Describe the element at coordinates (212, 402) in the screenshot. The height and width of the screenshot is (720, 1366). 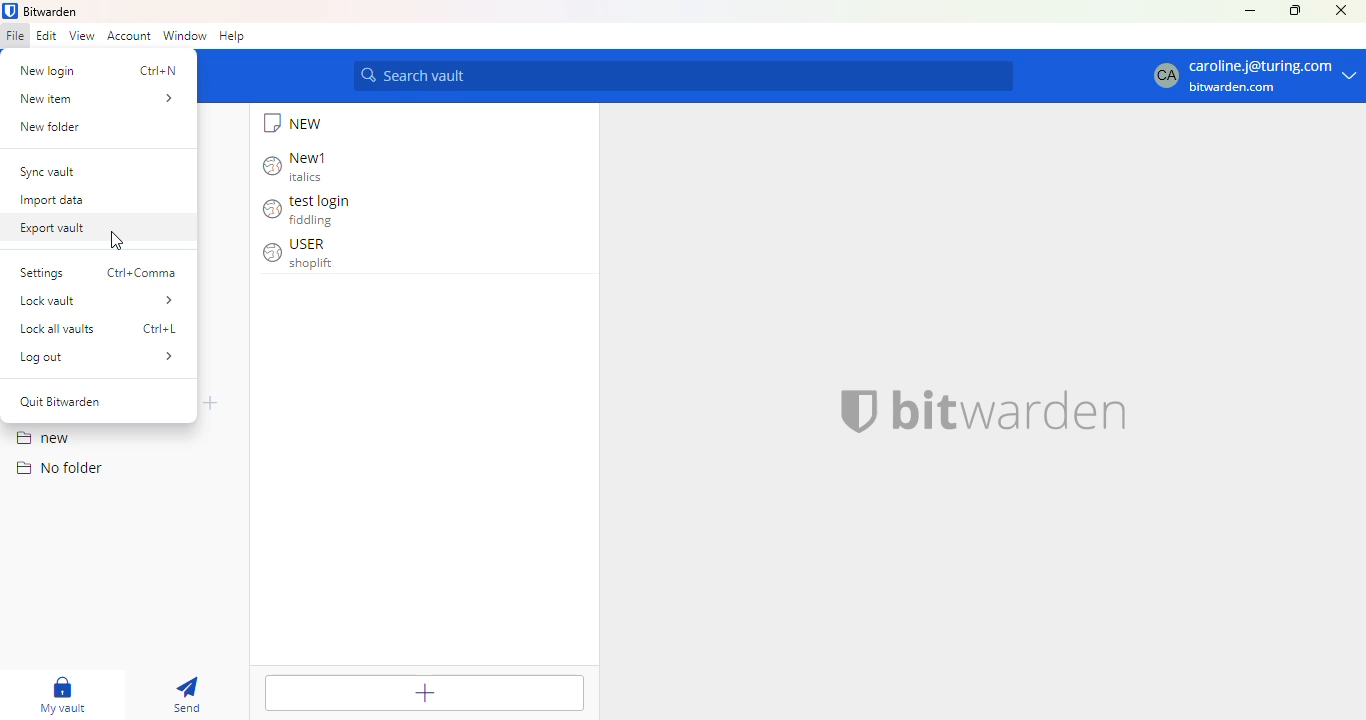
I see `add folder` at that location.